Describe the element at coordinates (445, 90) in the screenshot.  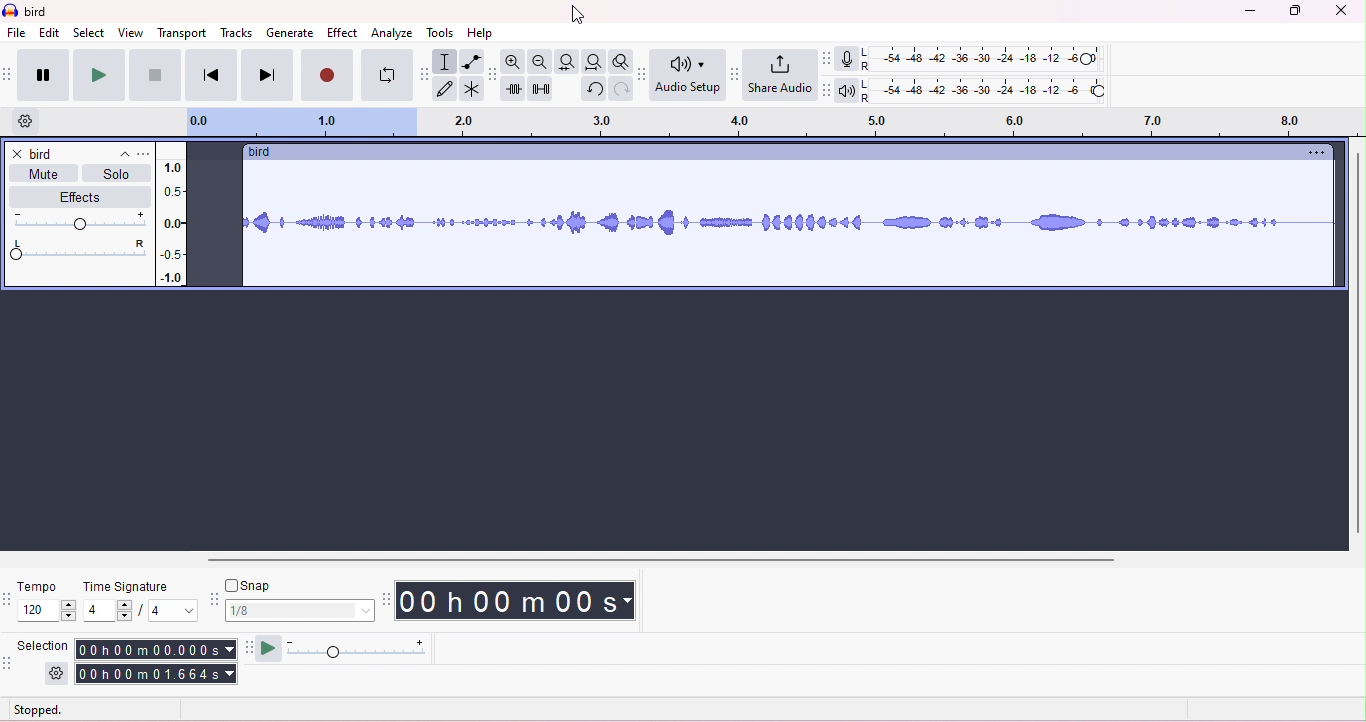
I see `draw` at that location.